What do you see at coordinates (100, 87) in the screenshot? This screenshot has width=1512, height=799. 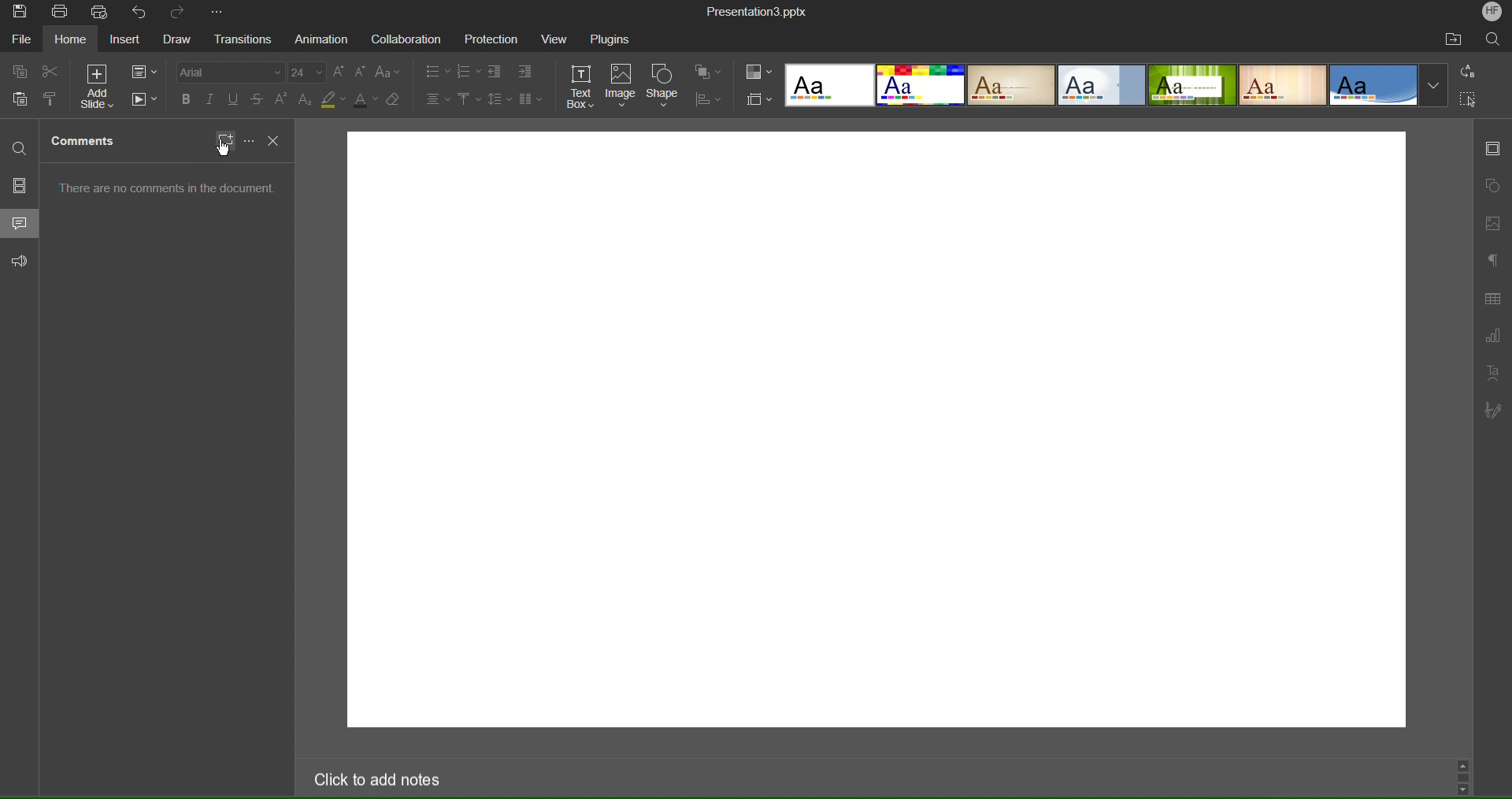 I see `Add Slide` at bounding box center [100, 87].